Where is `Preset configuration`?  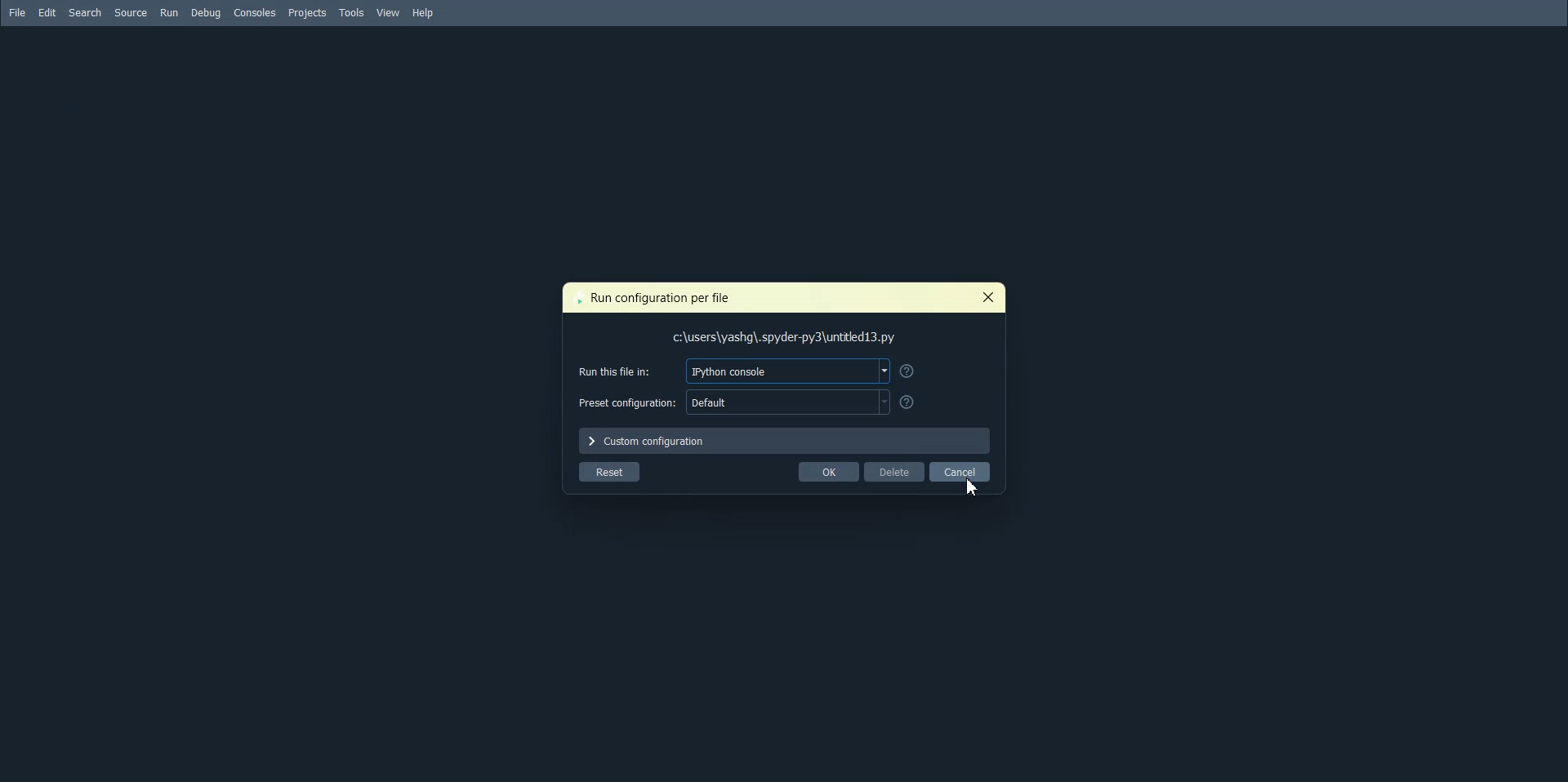 Preset configuration is located at coordinates (733, 403).